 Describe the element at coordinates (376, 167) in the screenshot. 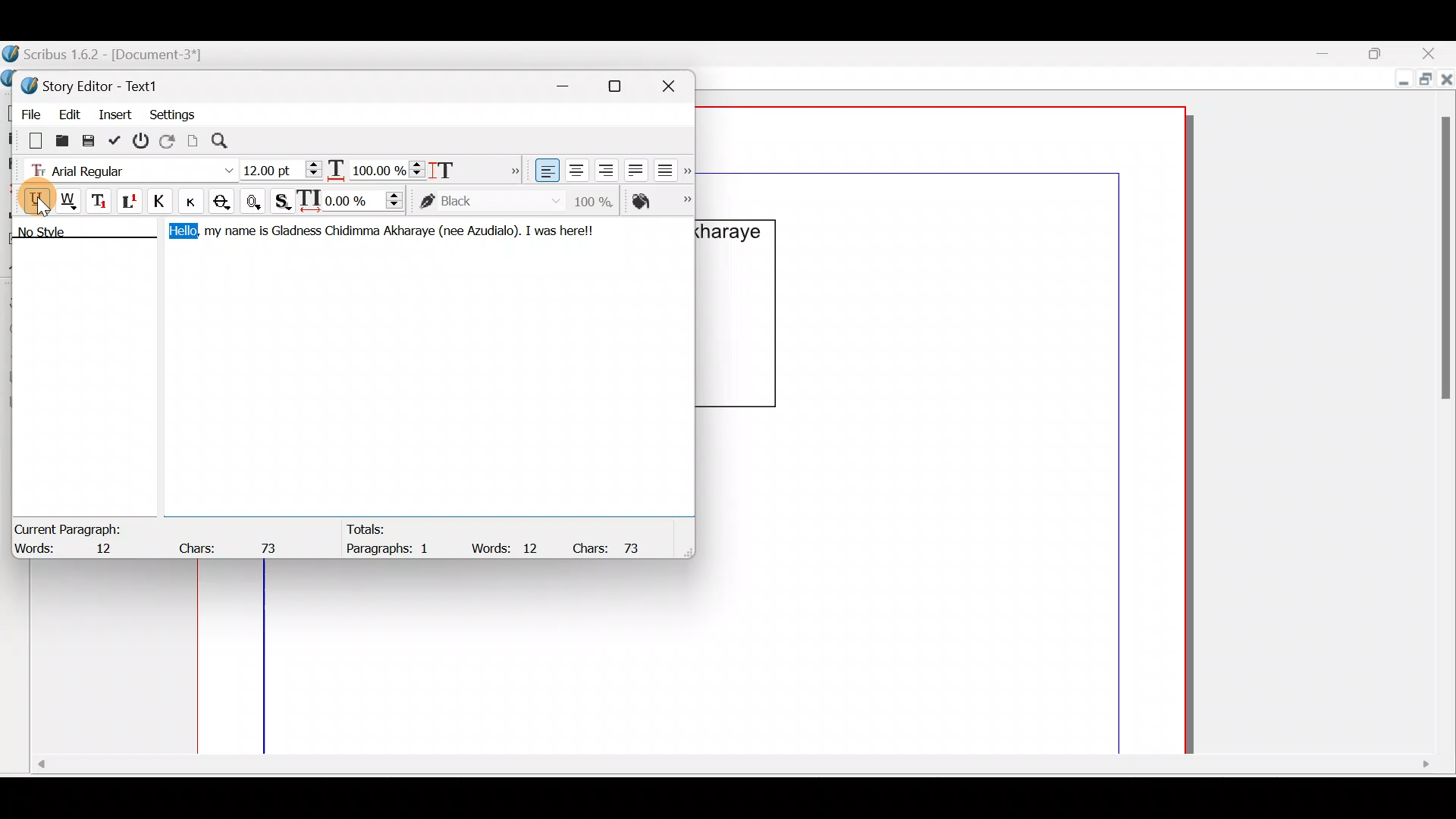

I see `Scaling width of characters` at that location.